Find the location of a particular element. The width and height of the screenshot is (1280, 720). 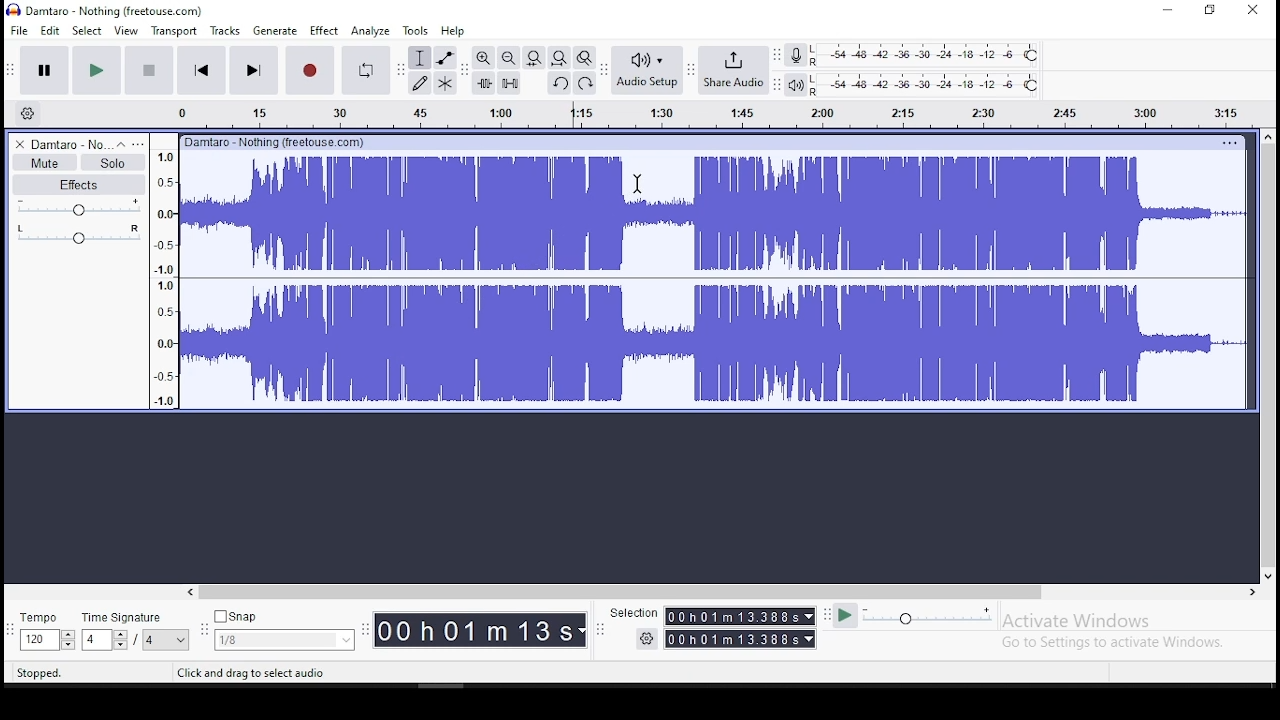

select is located at coordinates (88, 31).